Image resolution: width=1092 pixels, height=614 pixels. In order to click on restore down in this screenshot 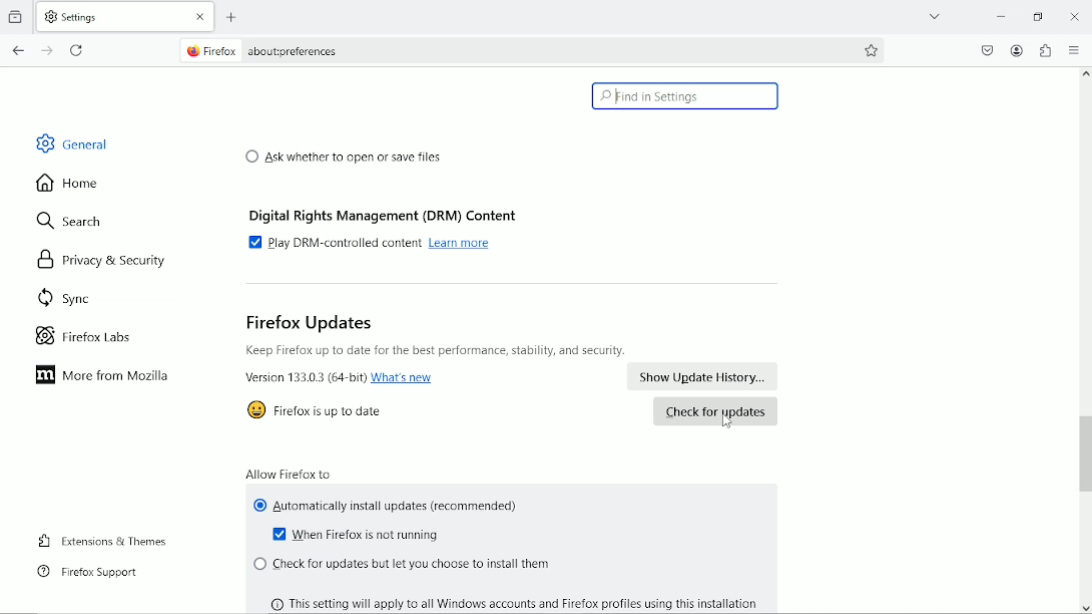, I will do `click(1039, 17)`.